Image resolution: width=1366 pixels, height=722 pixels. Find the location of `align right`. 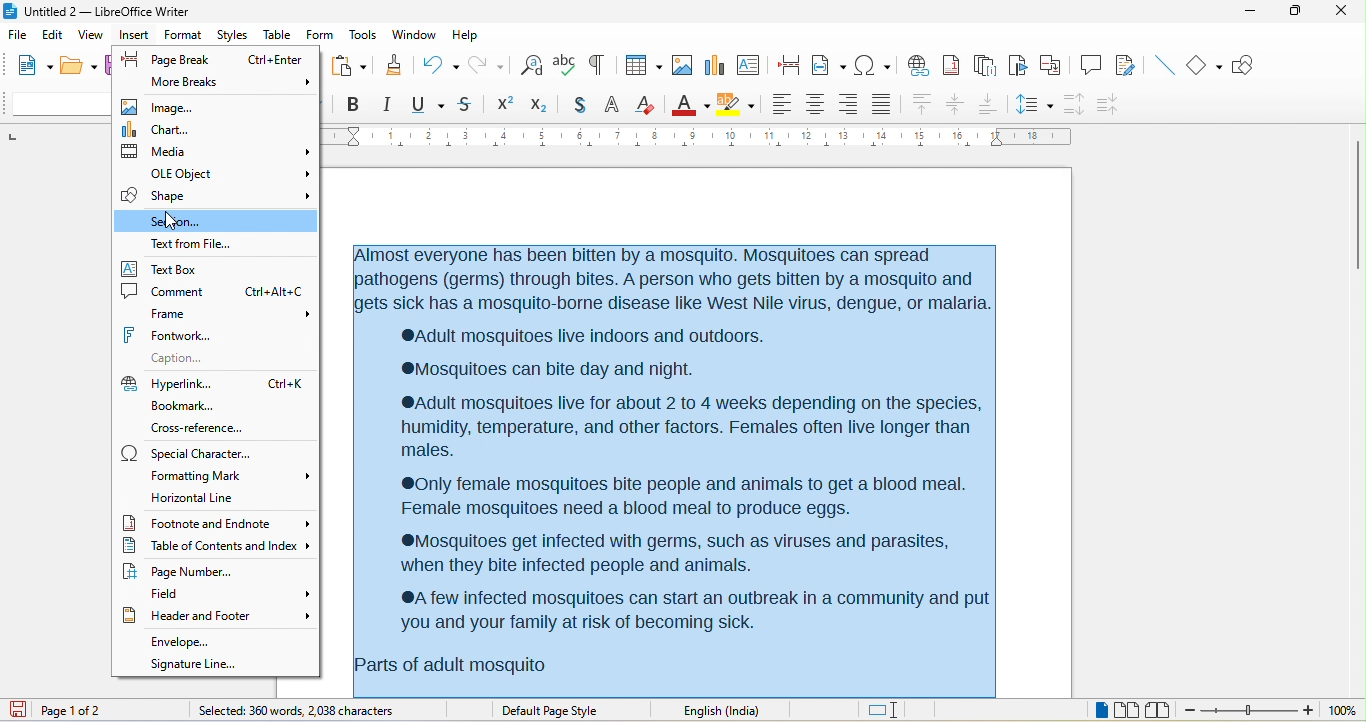

align right is located at coordinates (848, 104).